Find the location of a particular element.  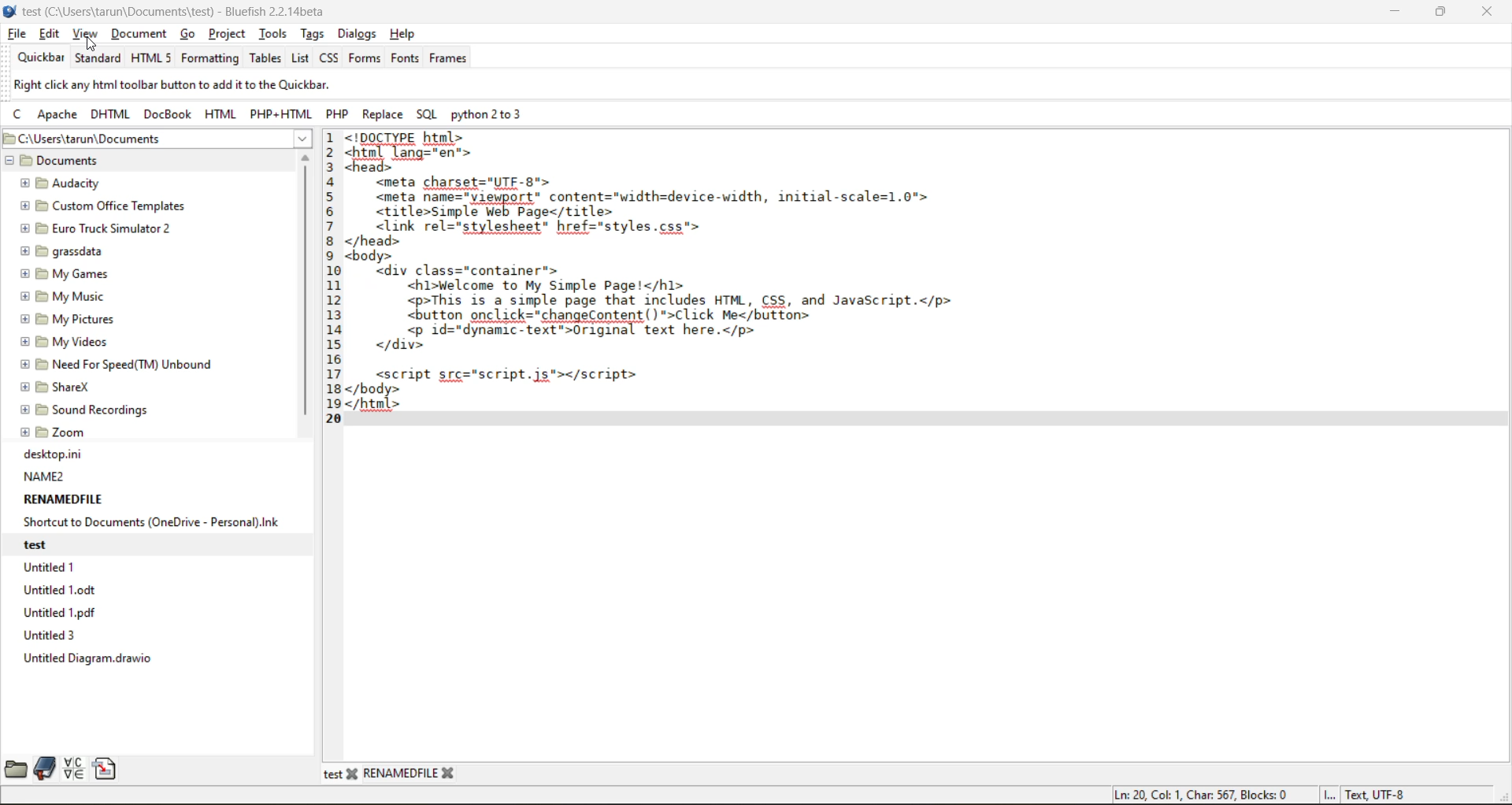

formatting is located at coordinates (208, 58).